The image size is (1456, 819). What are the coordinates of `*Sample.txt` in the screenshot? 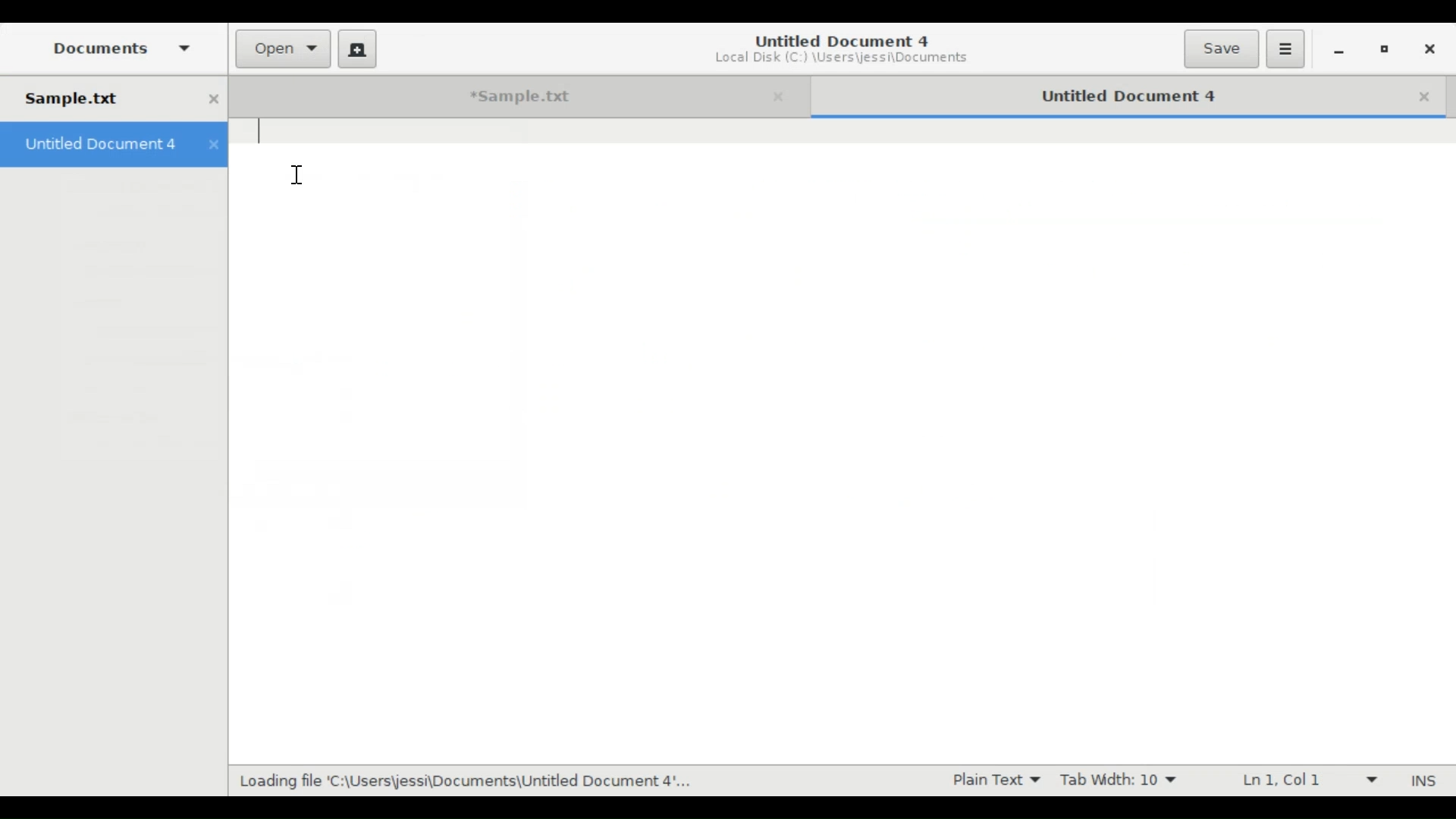 It's located at (495, 96).